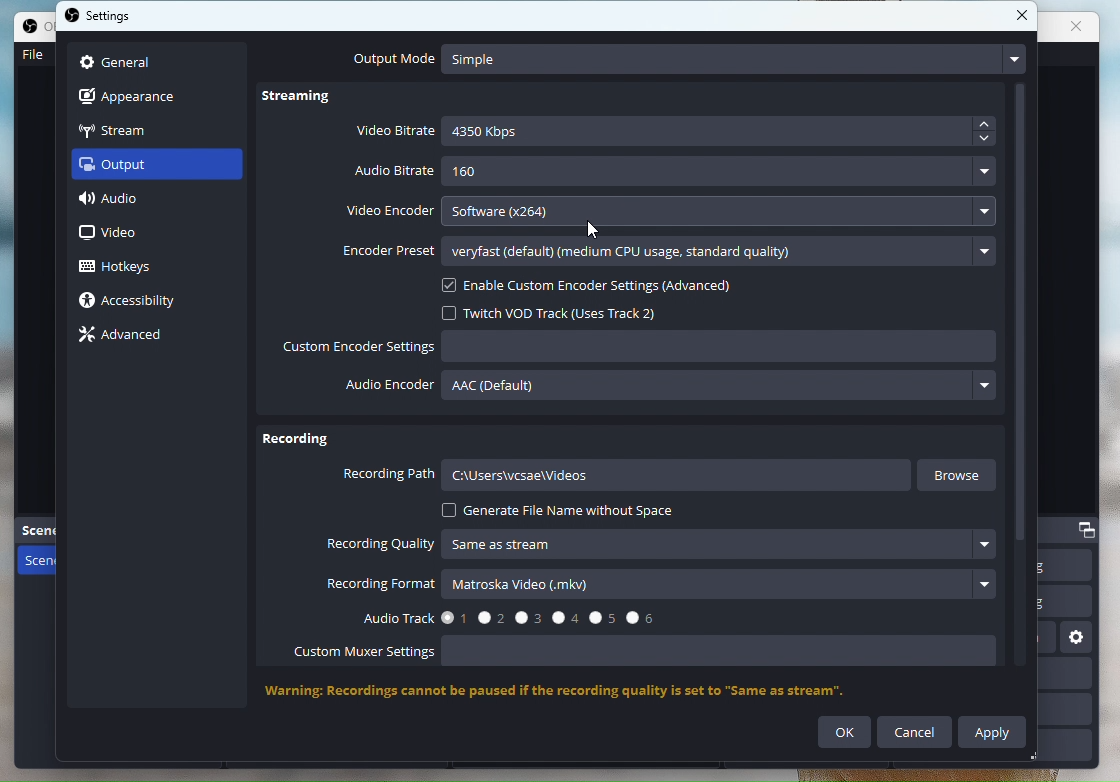 The width and height of the screenshot is (1120, 782). Describe the element at coordinates (677, 133) in the screenshot. I see `Video Bitrate` at that location.